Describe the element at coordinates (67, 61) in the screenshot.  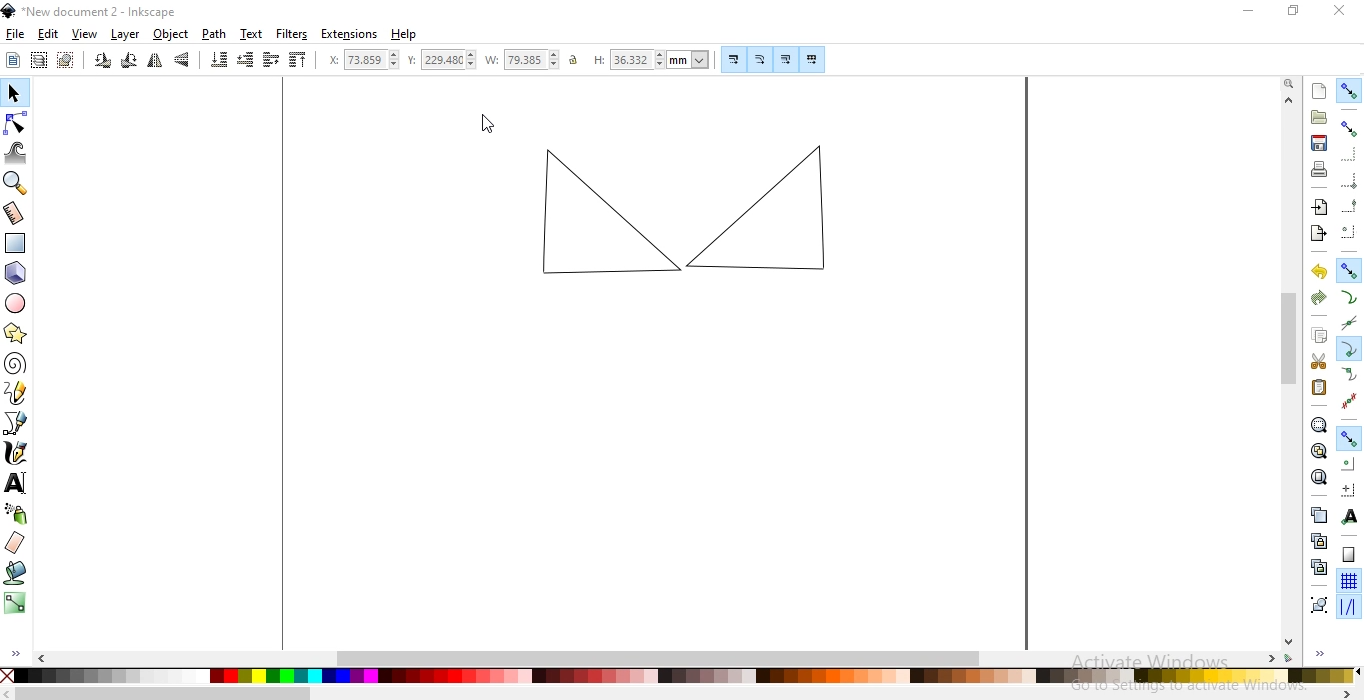
I see `deselect any selected objects or nodes` at that location.